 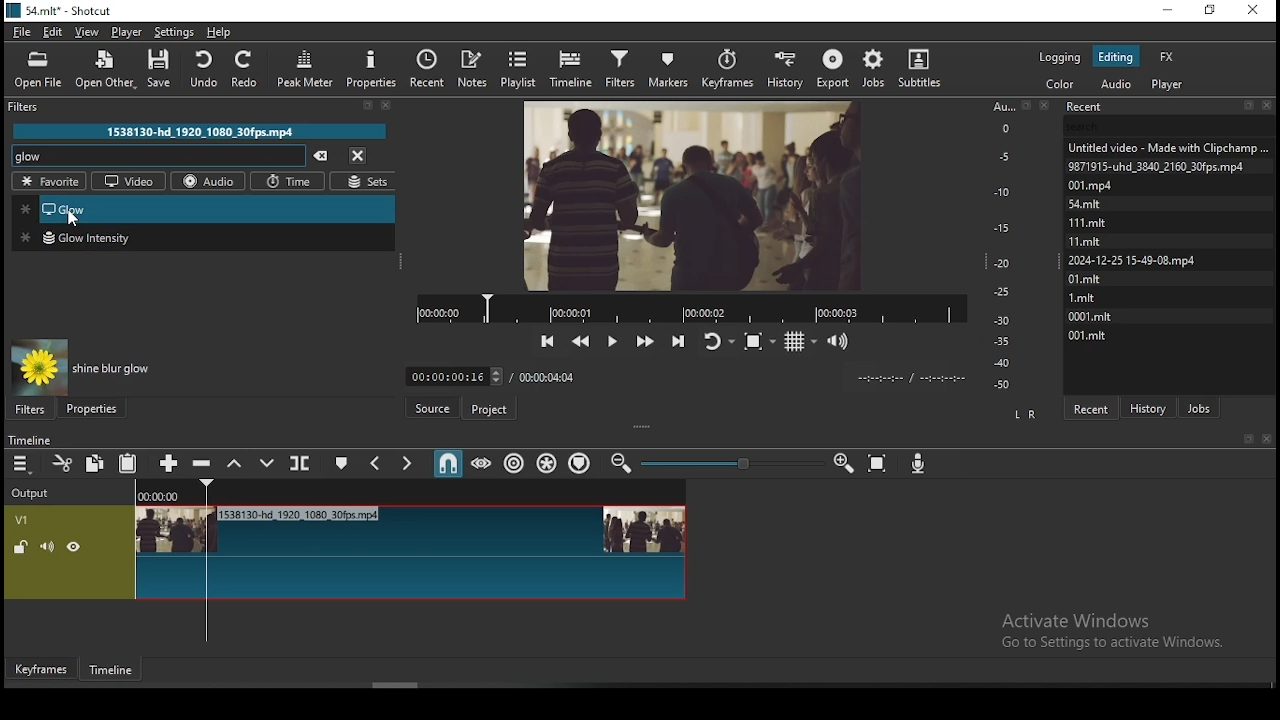 What do you see at coordinates (1248, 440) in the screenshot?
I see `bookmark` at bounding box center [1248, 440].